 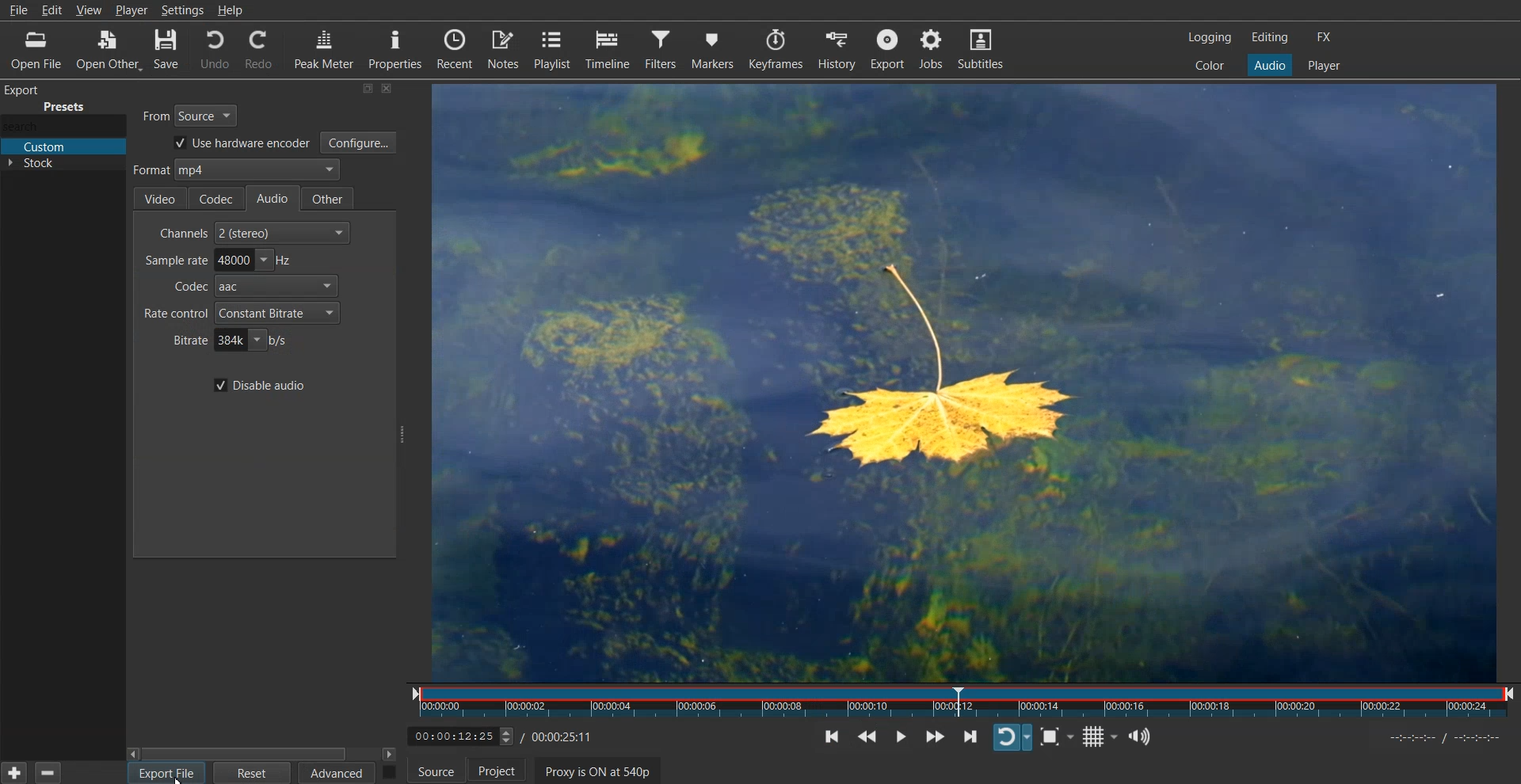 What do you see at coordinates (258, 385) in the screenshot?
I see `Disable audio` at bounding box center [258, 385].